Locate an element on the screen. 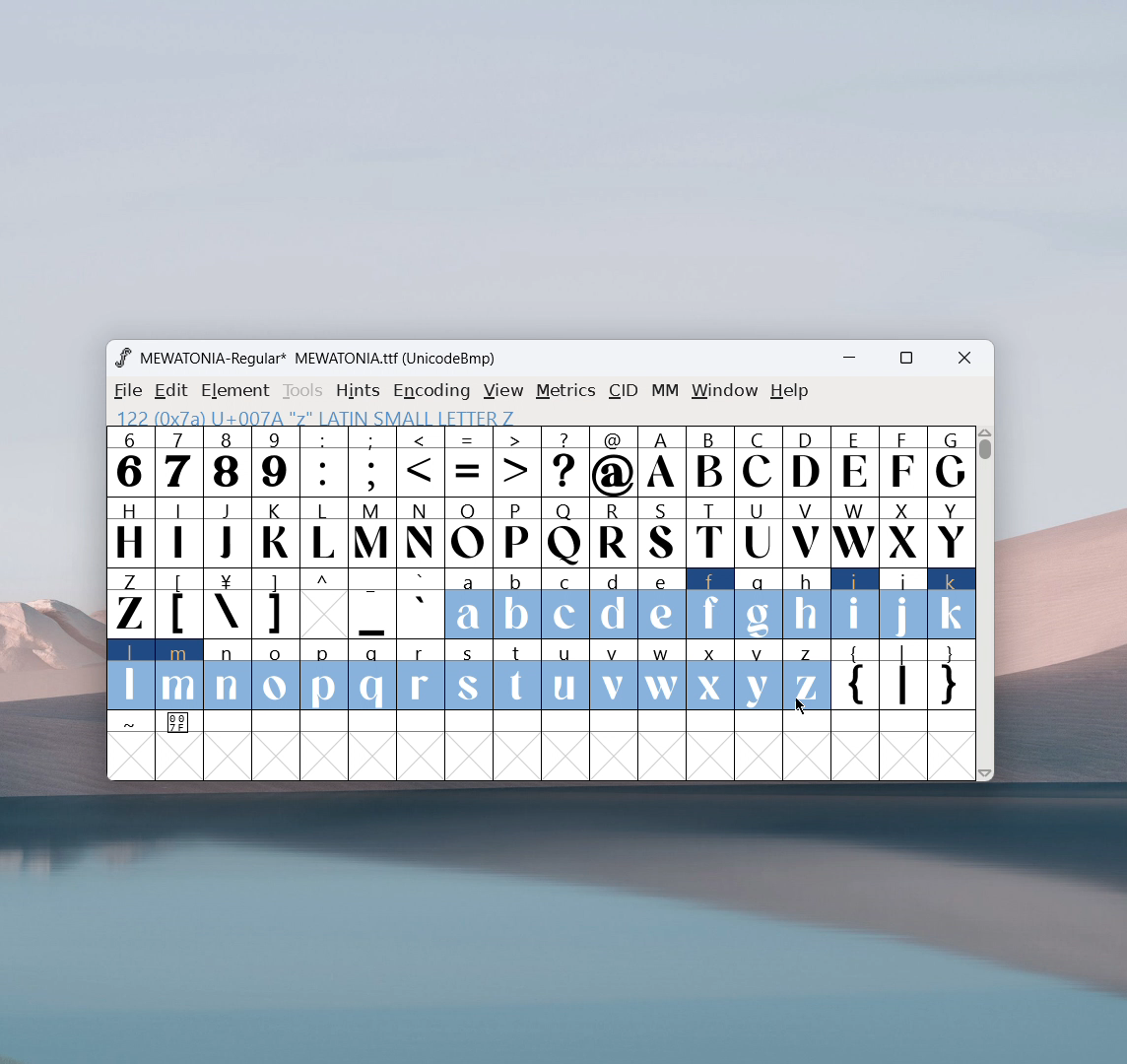 This screenshot has width=1127, height=1064. B is located at coordinates (709, 462).